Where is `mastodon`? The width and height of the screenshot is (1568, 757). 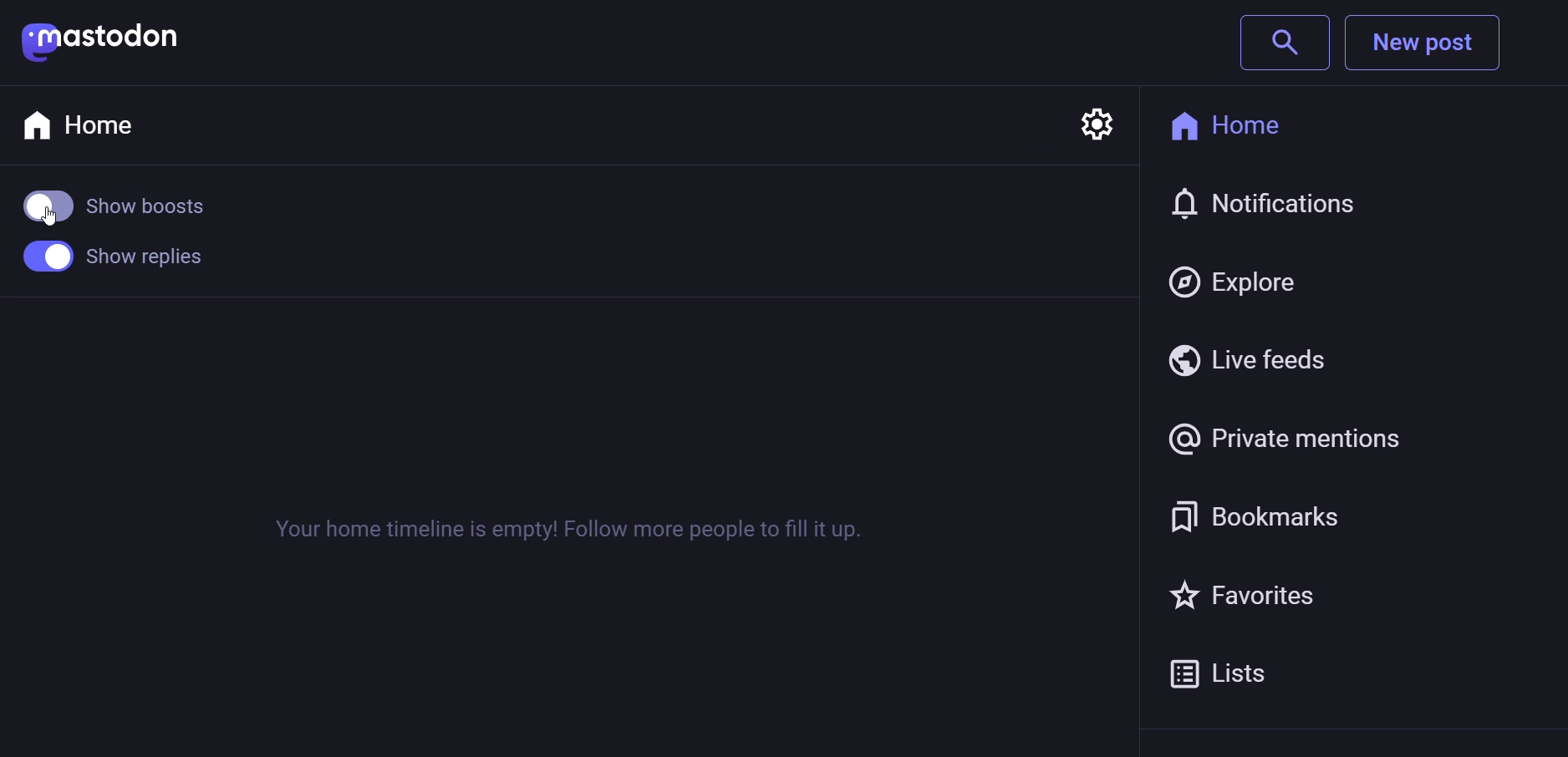 mastodon is located at coordinates (102, 41).